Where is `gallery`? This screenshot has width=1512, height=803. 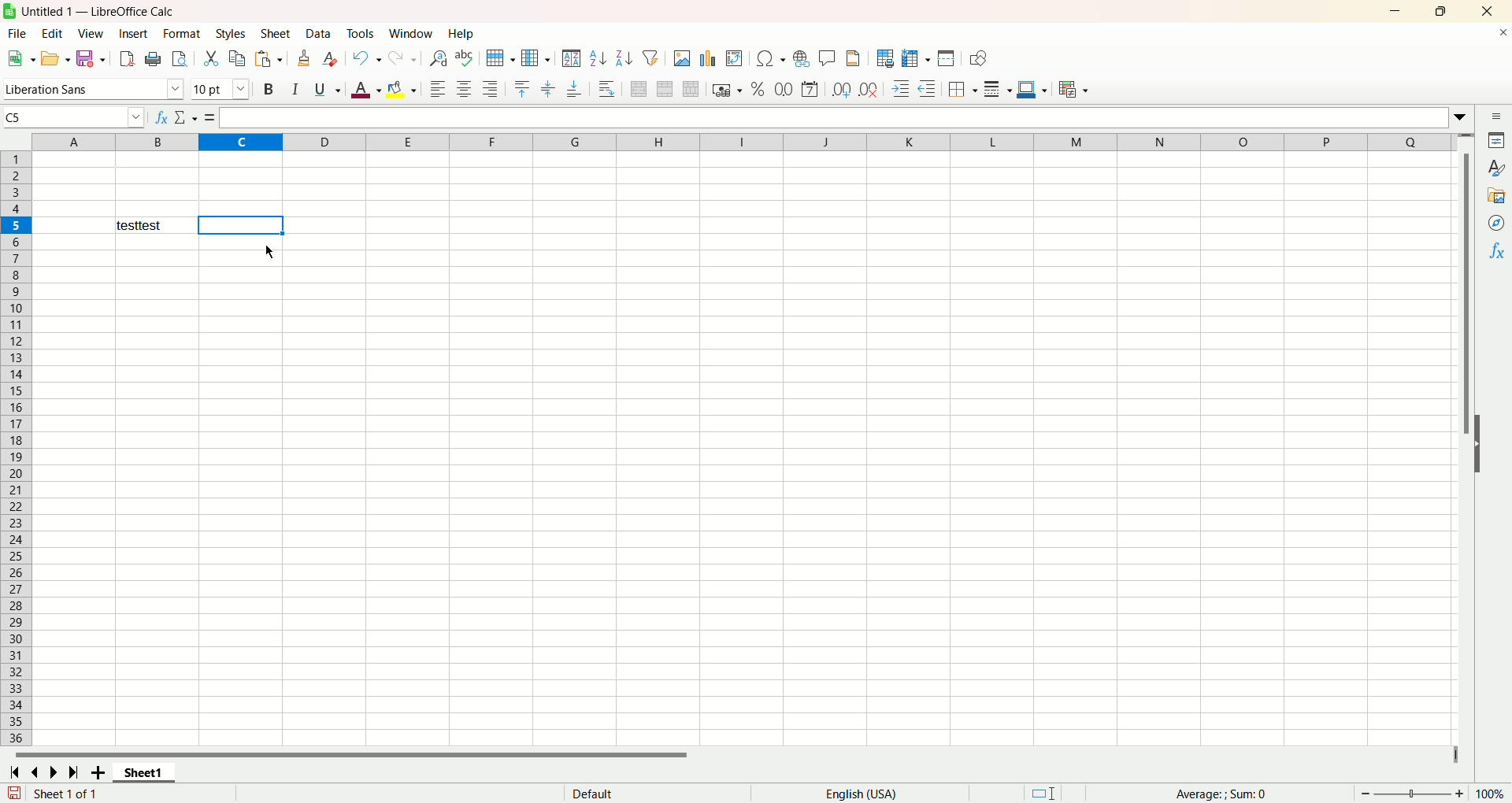 gallery is located at coordinates (1494, 196).